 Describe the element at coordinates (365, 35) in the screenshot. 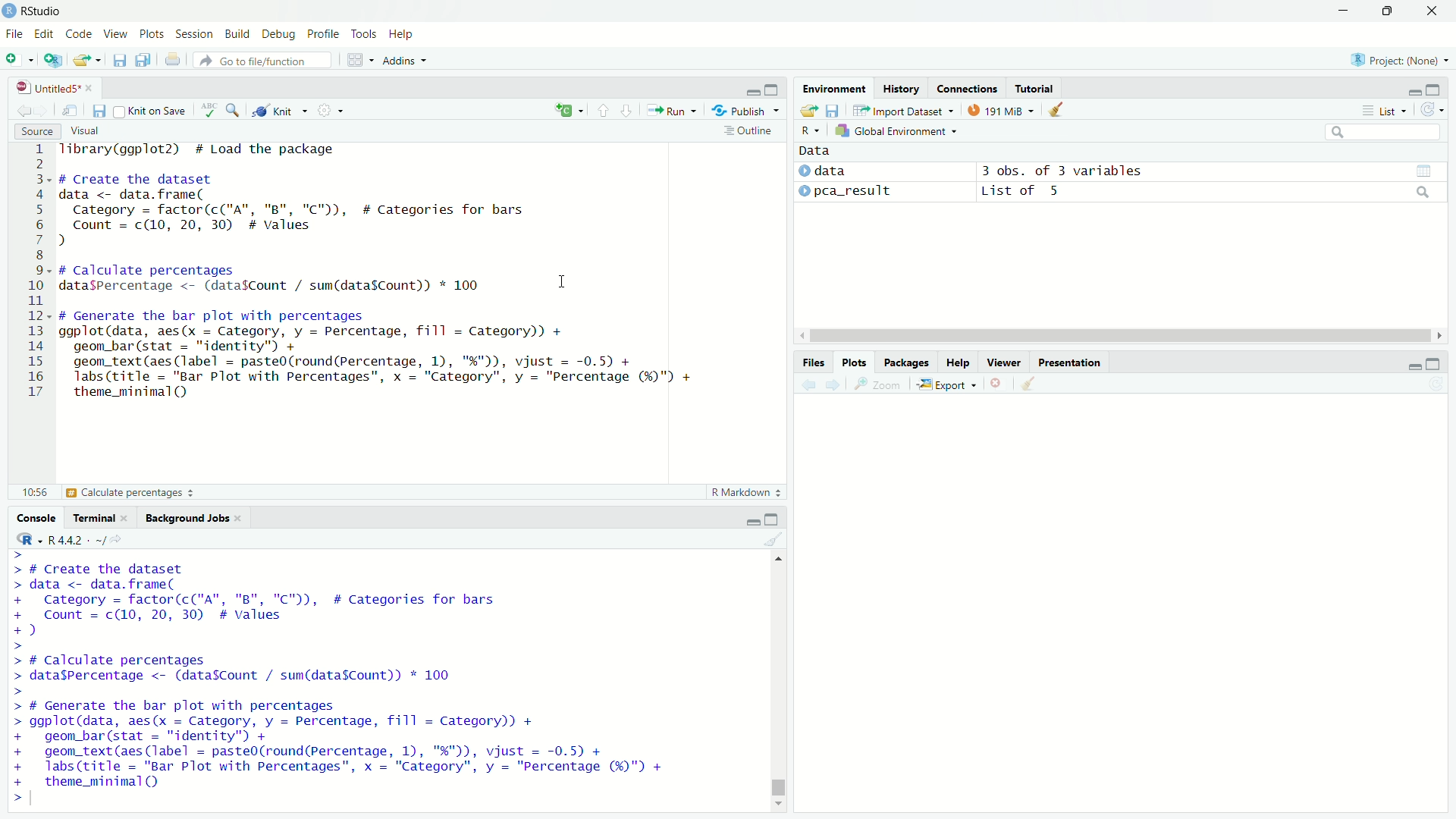

I see `tools` at that location.